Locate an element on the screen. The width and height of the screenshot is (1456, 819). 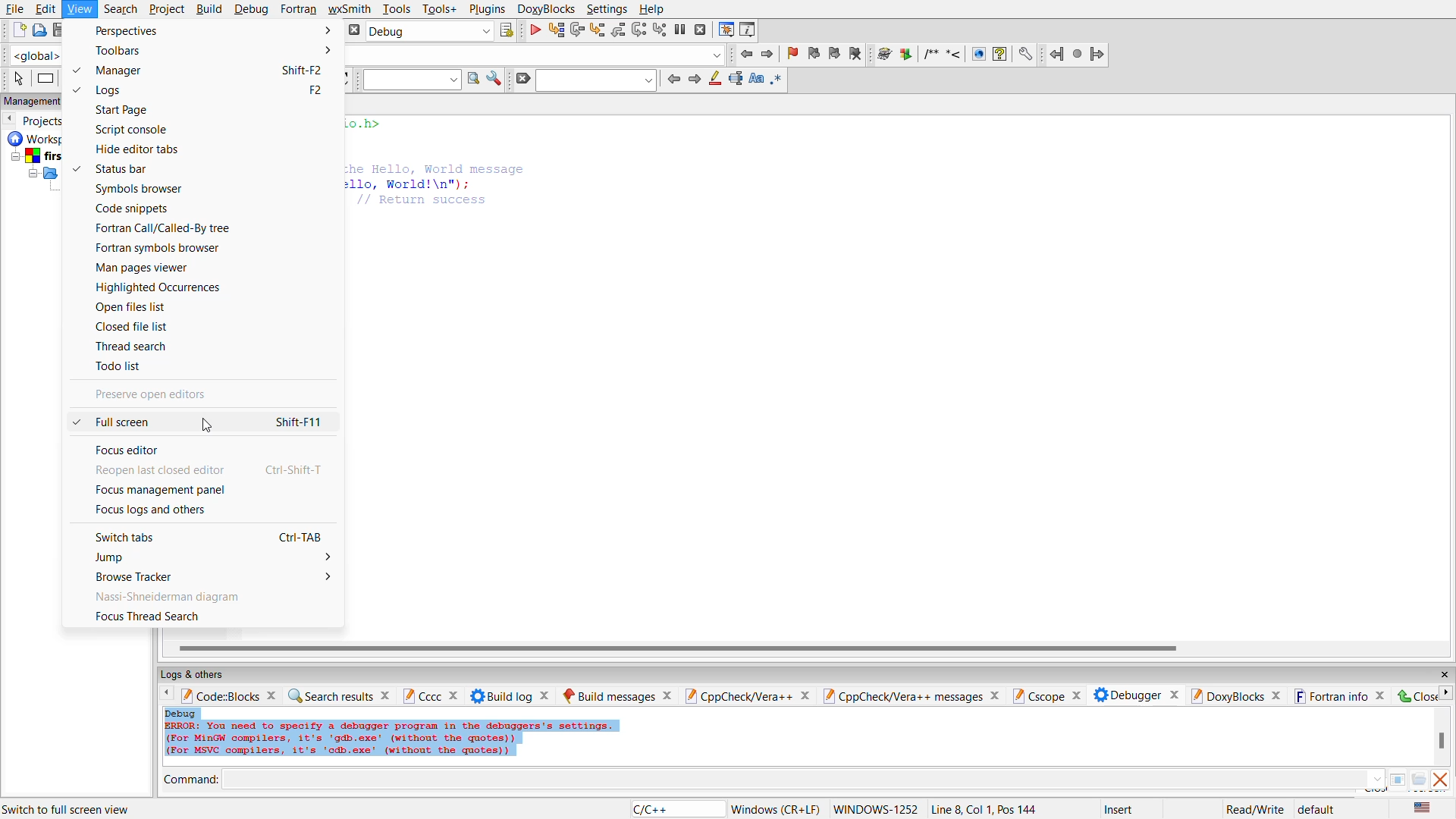
dropdown is located at coordinates (717, 54).